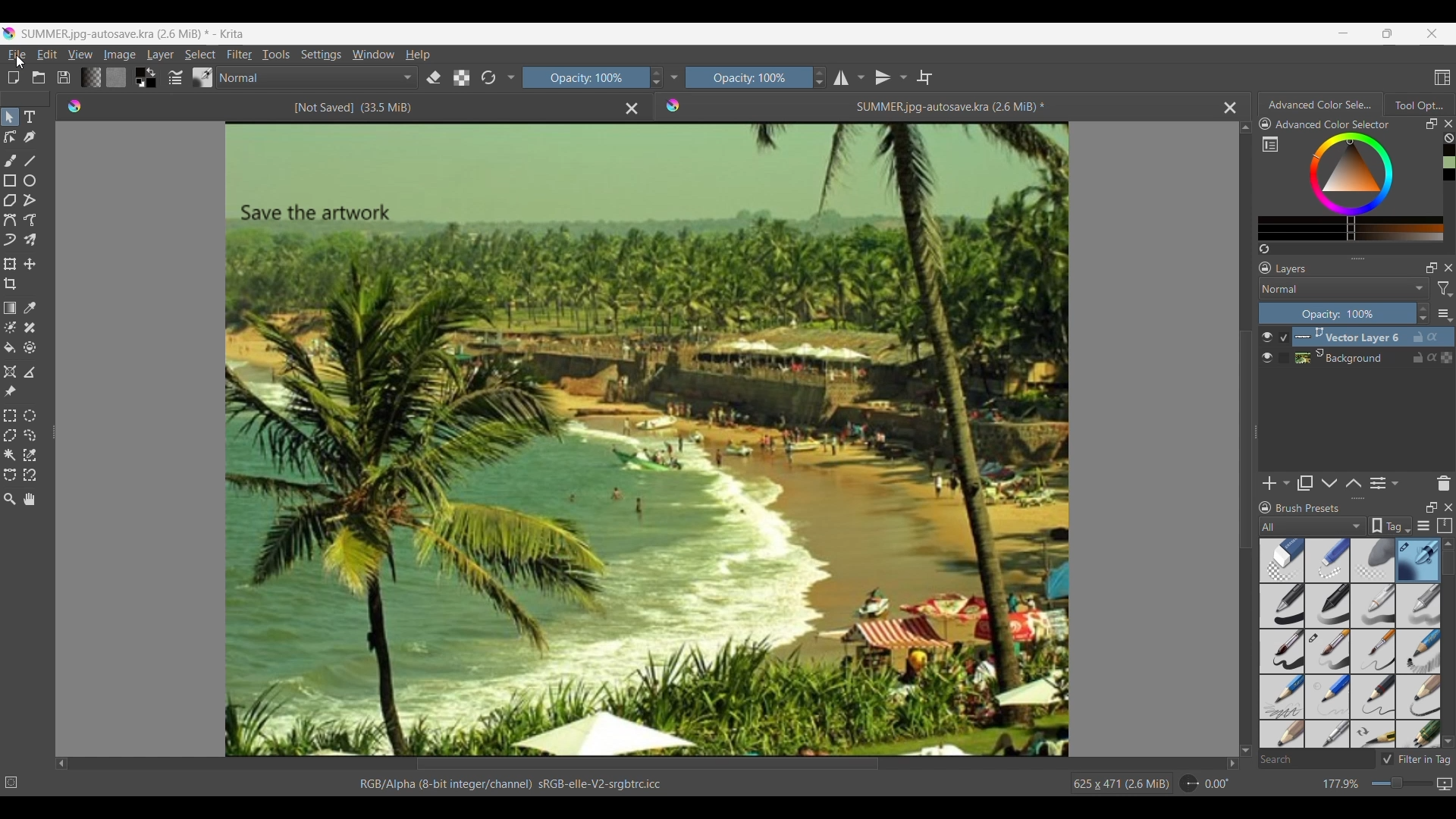 This screenshot has width=1456, height=819. I want to click on Multi-brush tool, so click(30, 240).